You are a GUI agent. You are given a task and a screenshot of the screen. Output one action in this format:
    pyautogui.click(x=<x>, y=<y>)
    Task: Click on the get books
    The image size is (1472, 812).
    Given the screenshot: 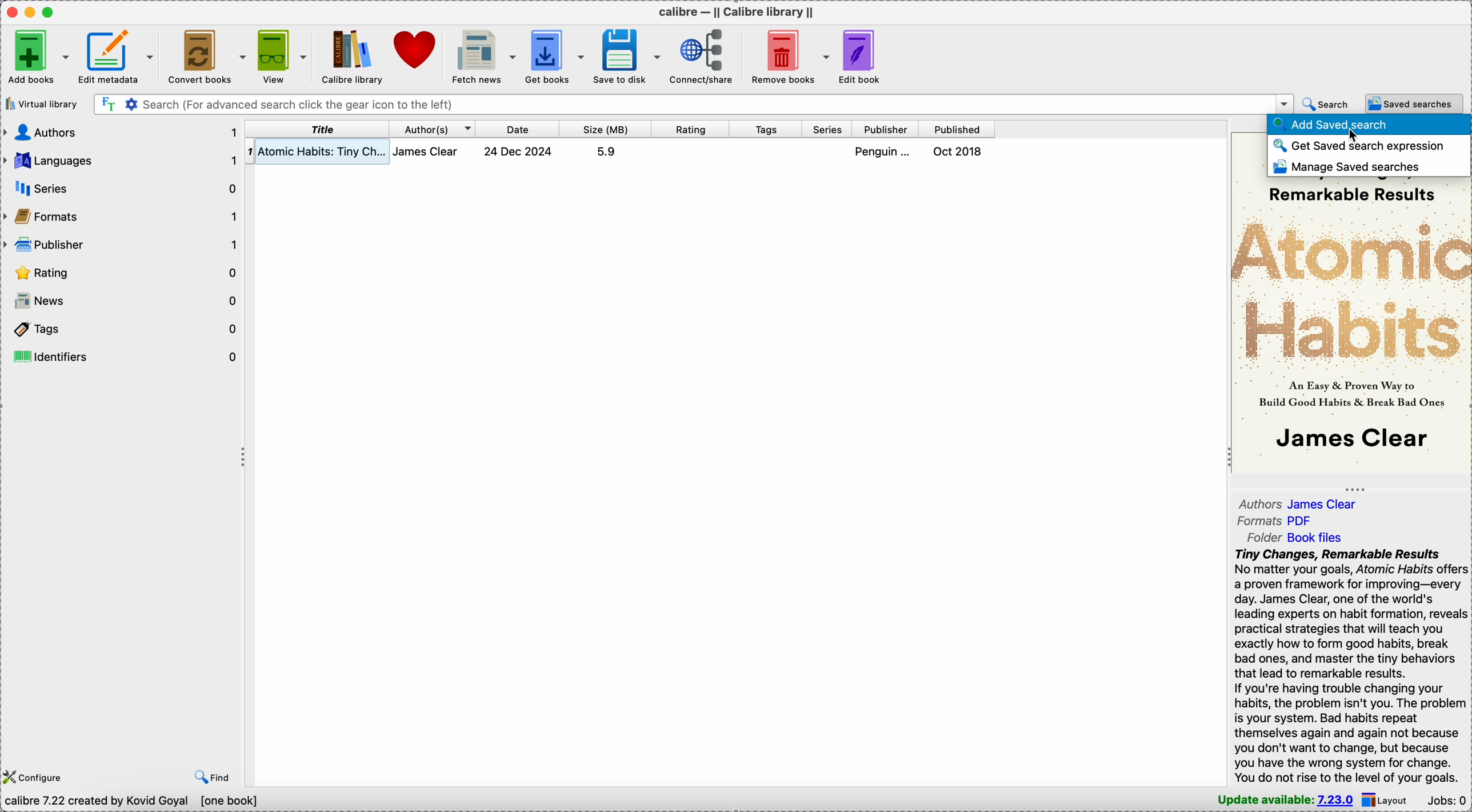 What is the action you would take?
    pyautogui.click(x=557, y=55)
    